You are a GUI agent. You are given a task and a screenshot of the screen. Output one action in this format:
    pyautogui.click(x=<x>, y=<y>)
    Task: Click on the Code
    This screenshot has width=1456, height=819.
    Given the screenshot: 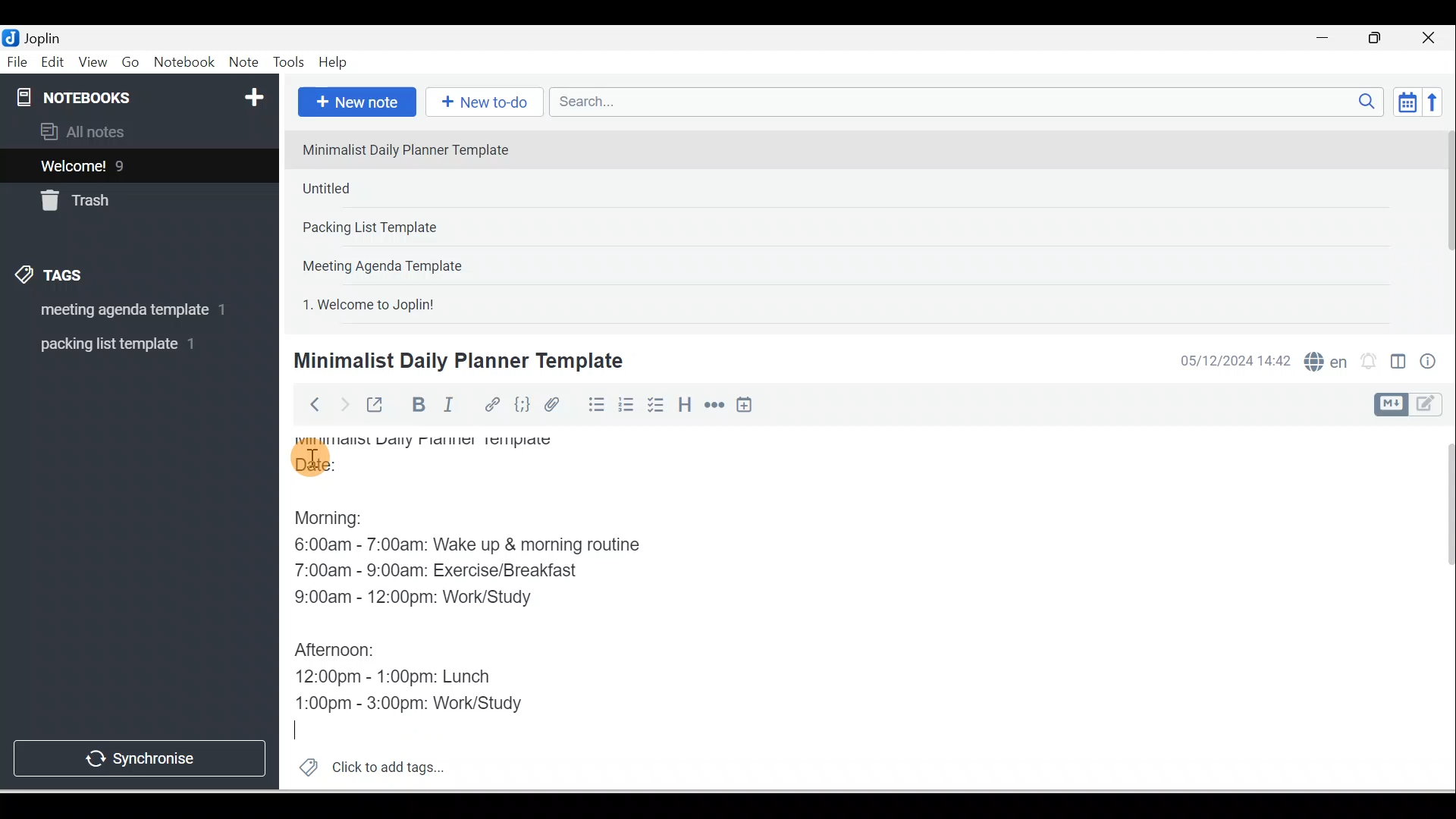 What is the action you would take?
    pyautogui.click(x=522, y=406)
    